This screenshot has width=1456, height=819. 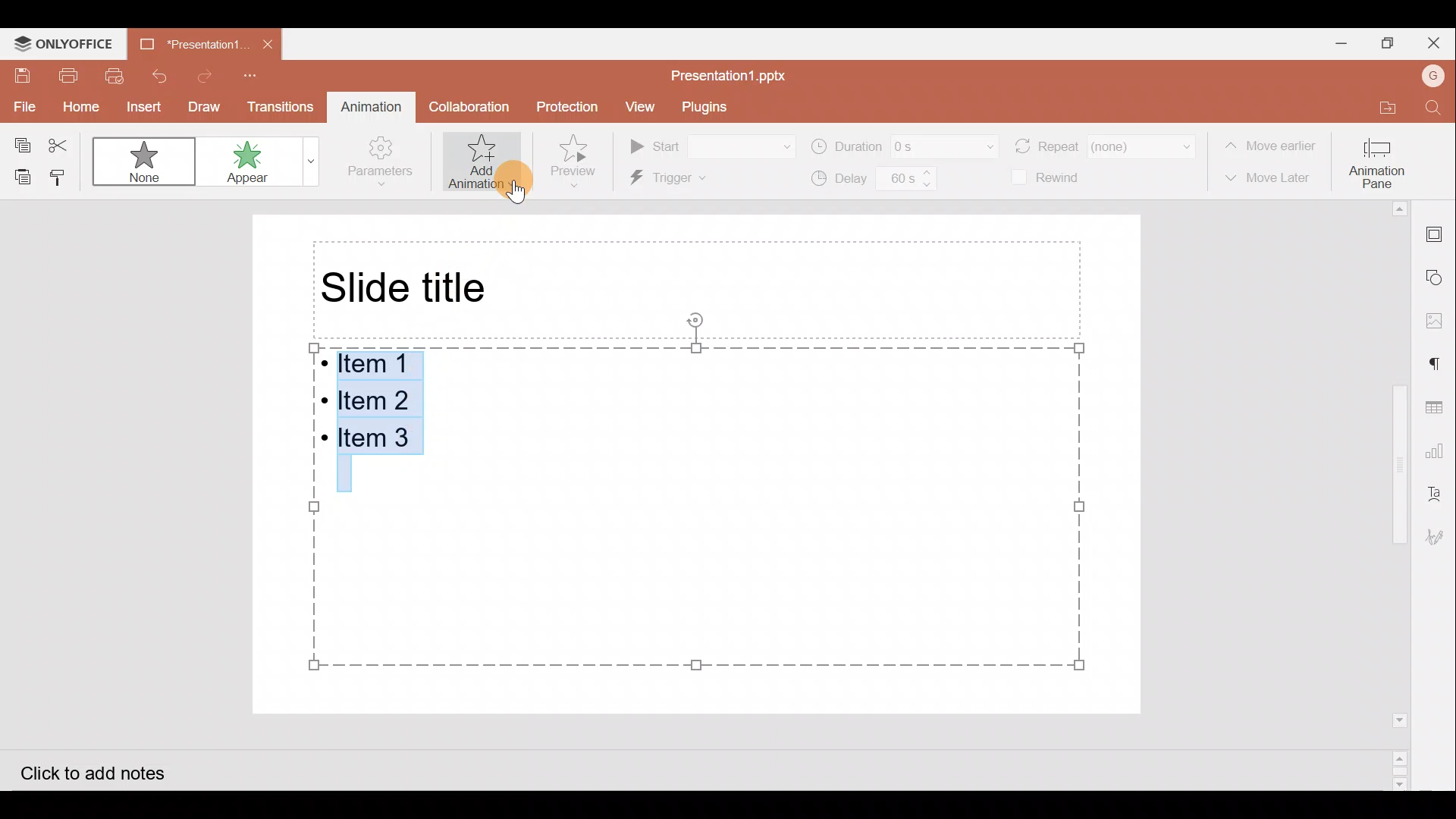 What do you see at coordinates (504, 186) in the screenshot?
I see `Cursor on animation` at bounding box center [504, 186].